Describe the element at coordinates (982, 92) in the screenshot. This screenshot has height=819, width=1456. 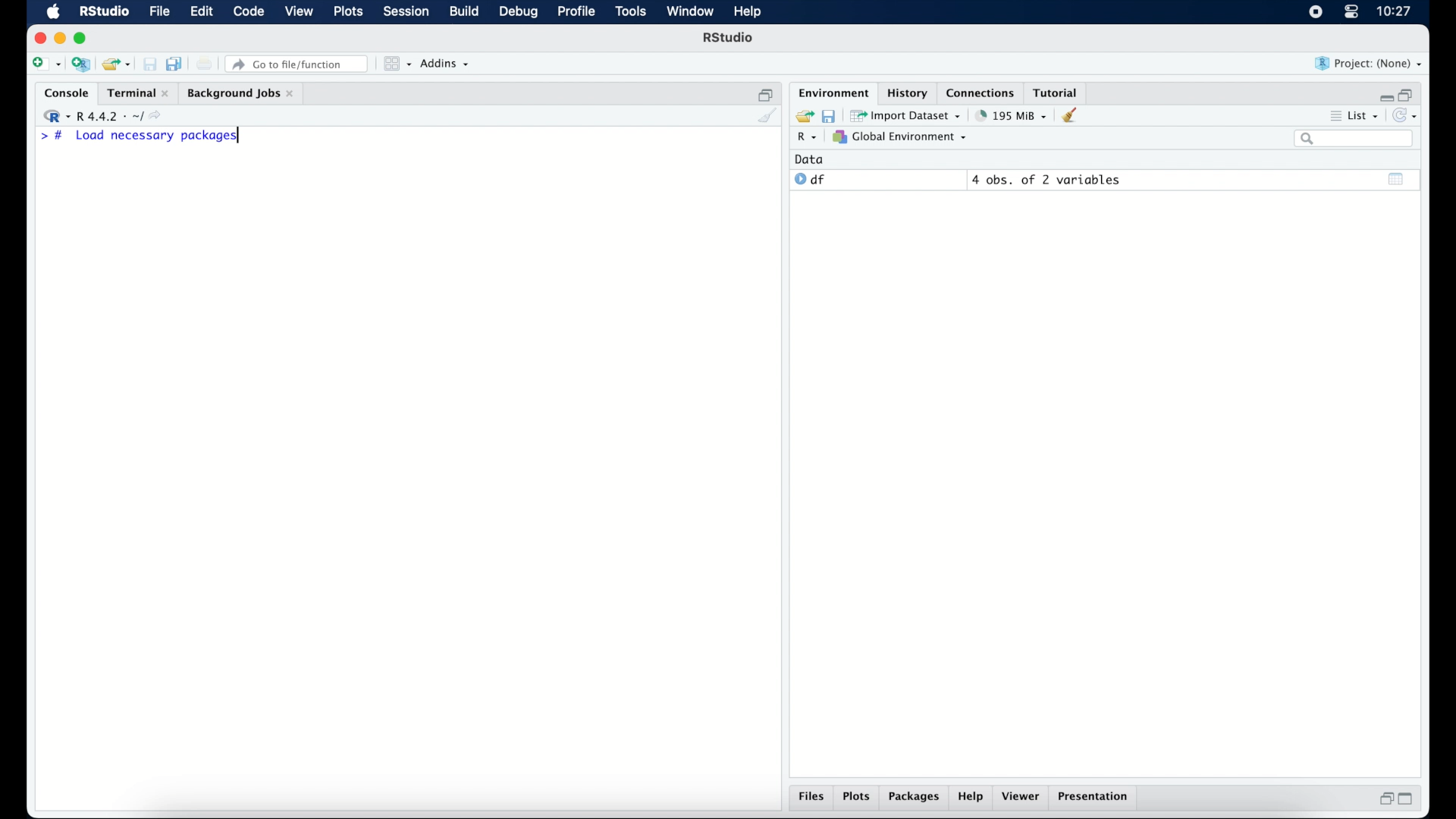
I see `connections` at that location.